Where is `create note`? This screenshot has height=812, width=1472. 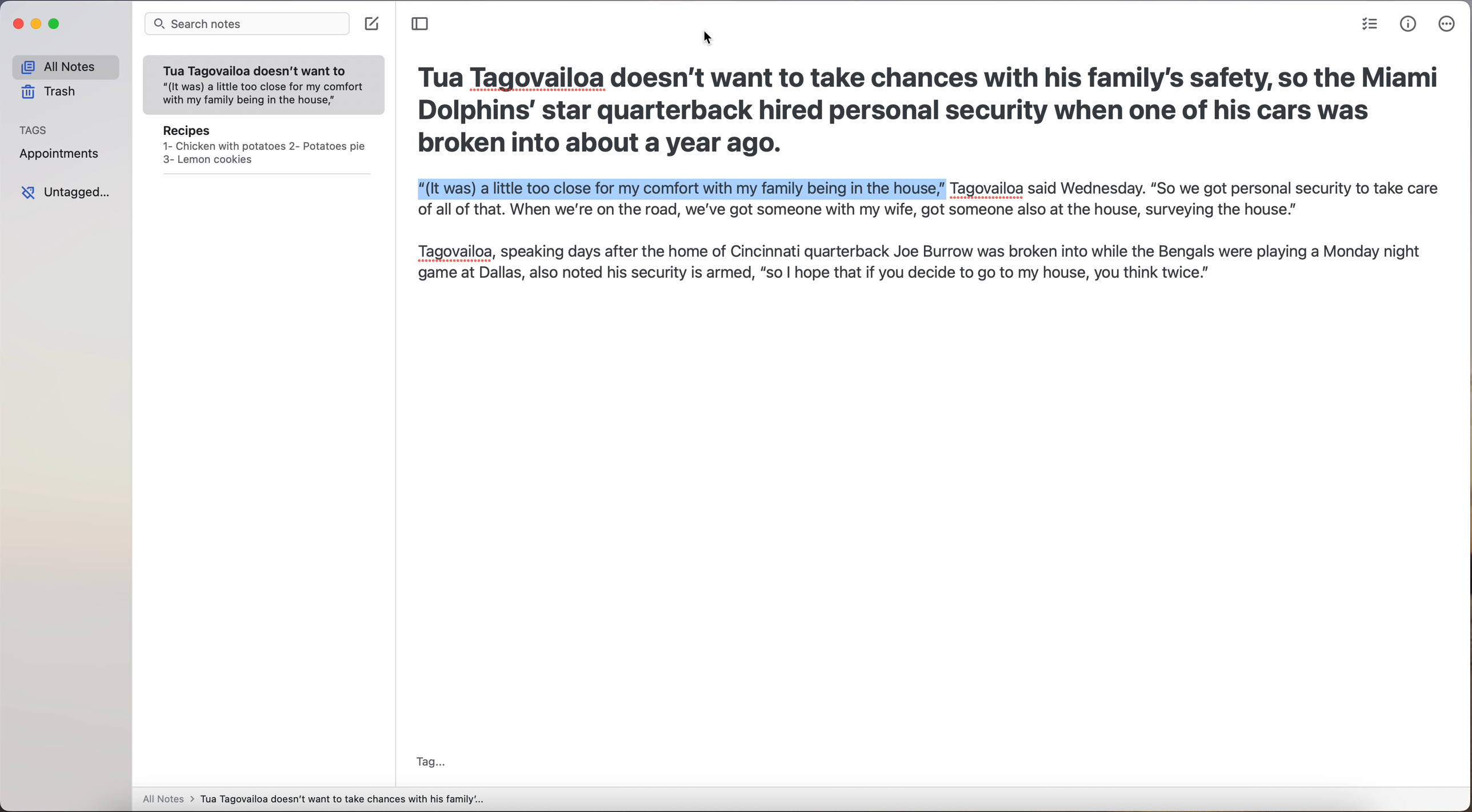
create note is located at coordinates (373, 25).